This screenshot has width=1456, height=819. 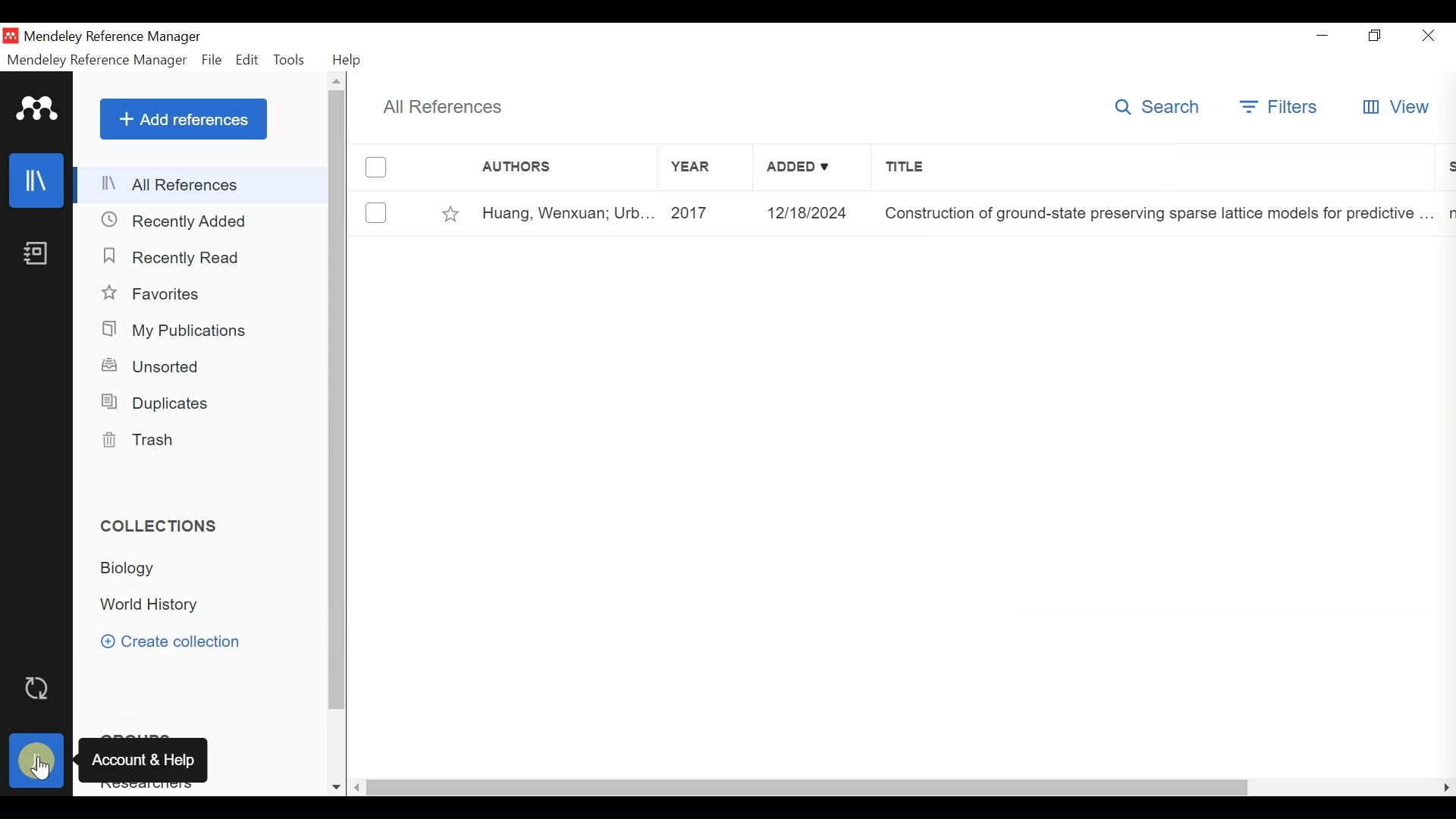 What do you see at coordinates (174, 257) in the screenshot?
I see `Recently Read` at bounding box center [174, 257].